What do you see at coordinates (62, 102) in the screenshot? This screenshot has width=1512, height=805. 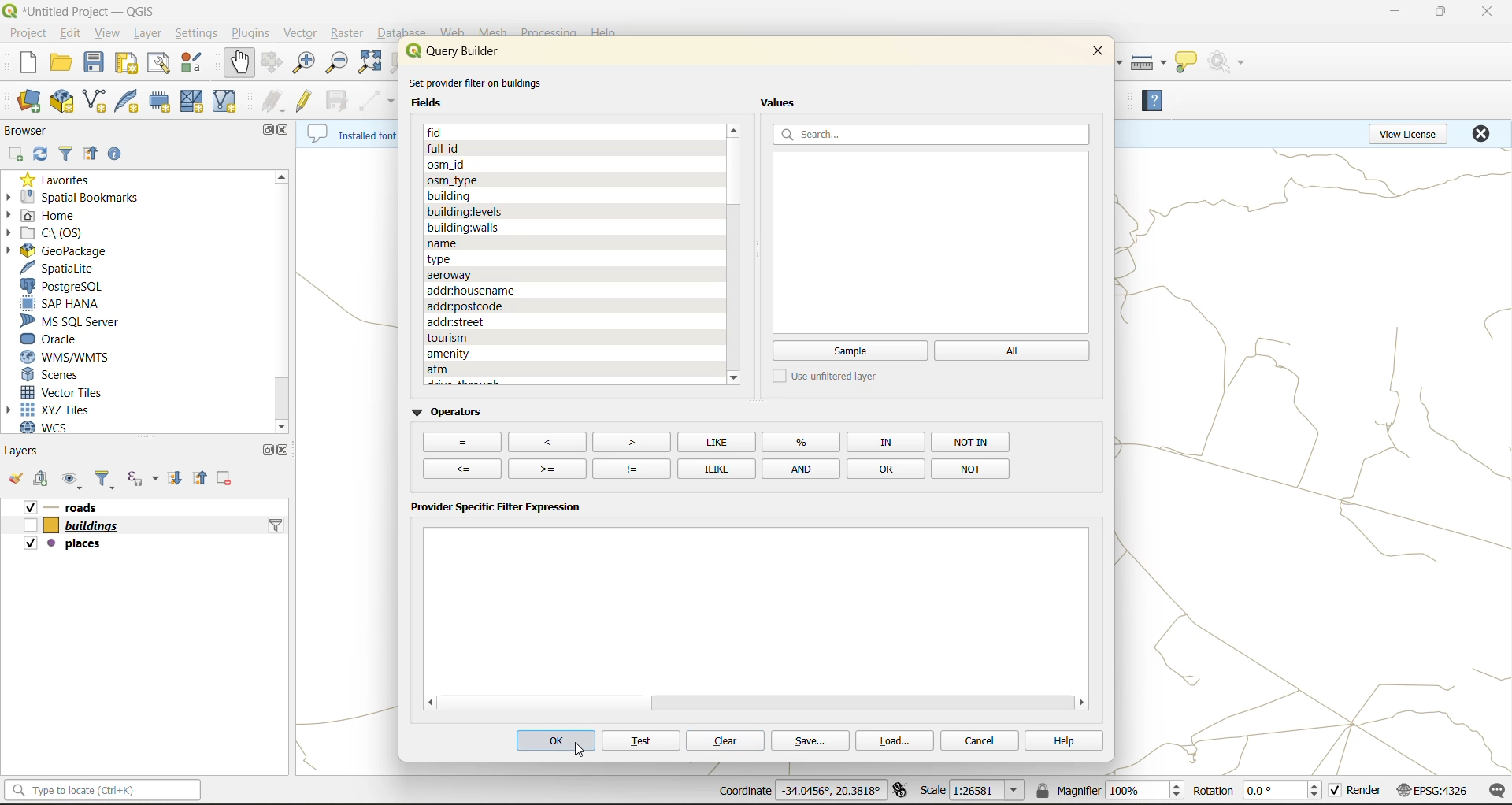 I see `new geopackage layer` at bounding box center [62, 102].